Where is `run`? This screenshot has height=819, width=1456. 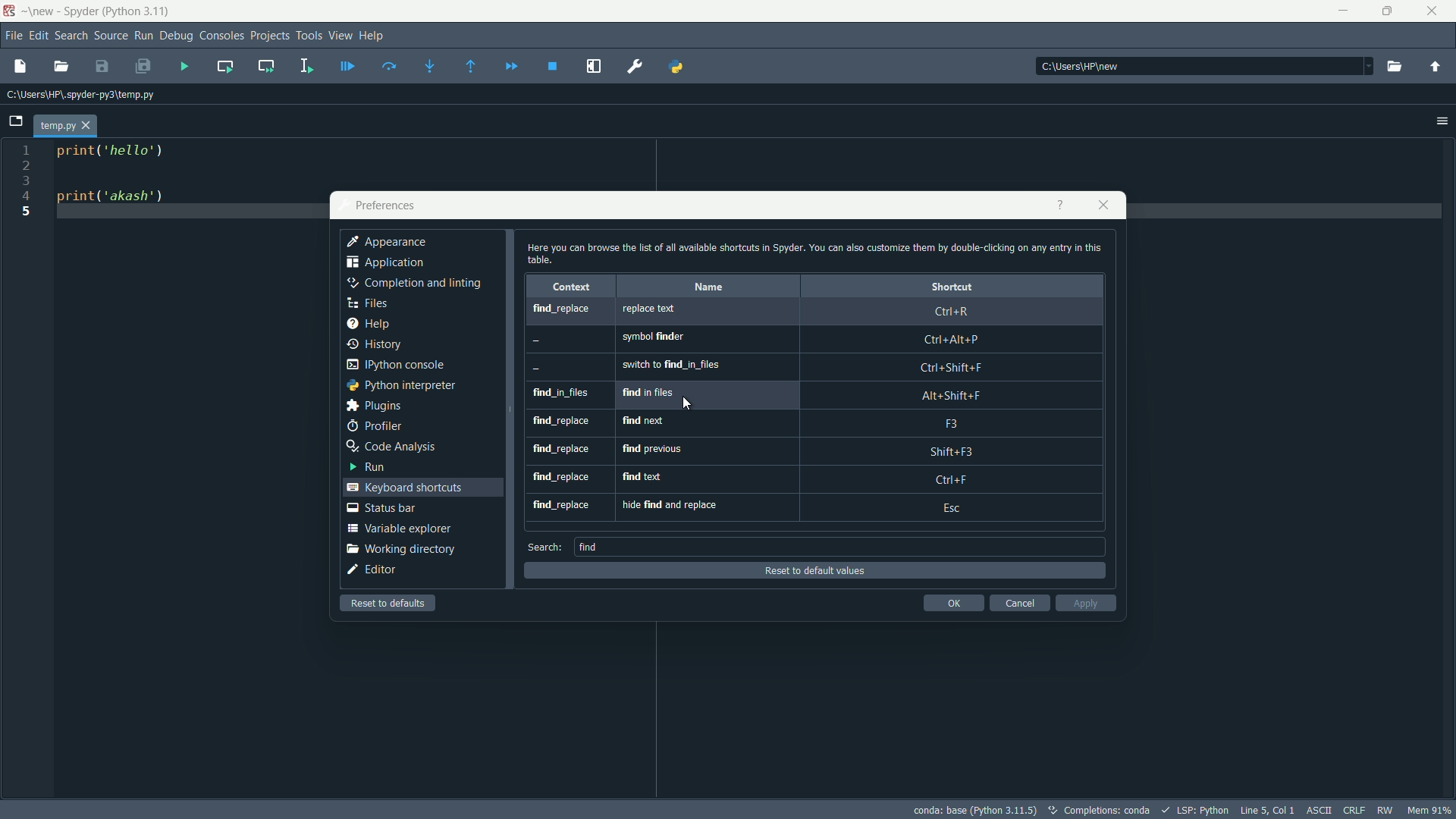
run is located at coordinates (372, 467).